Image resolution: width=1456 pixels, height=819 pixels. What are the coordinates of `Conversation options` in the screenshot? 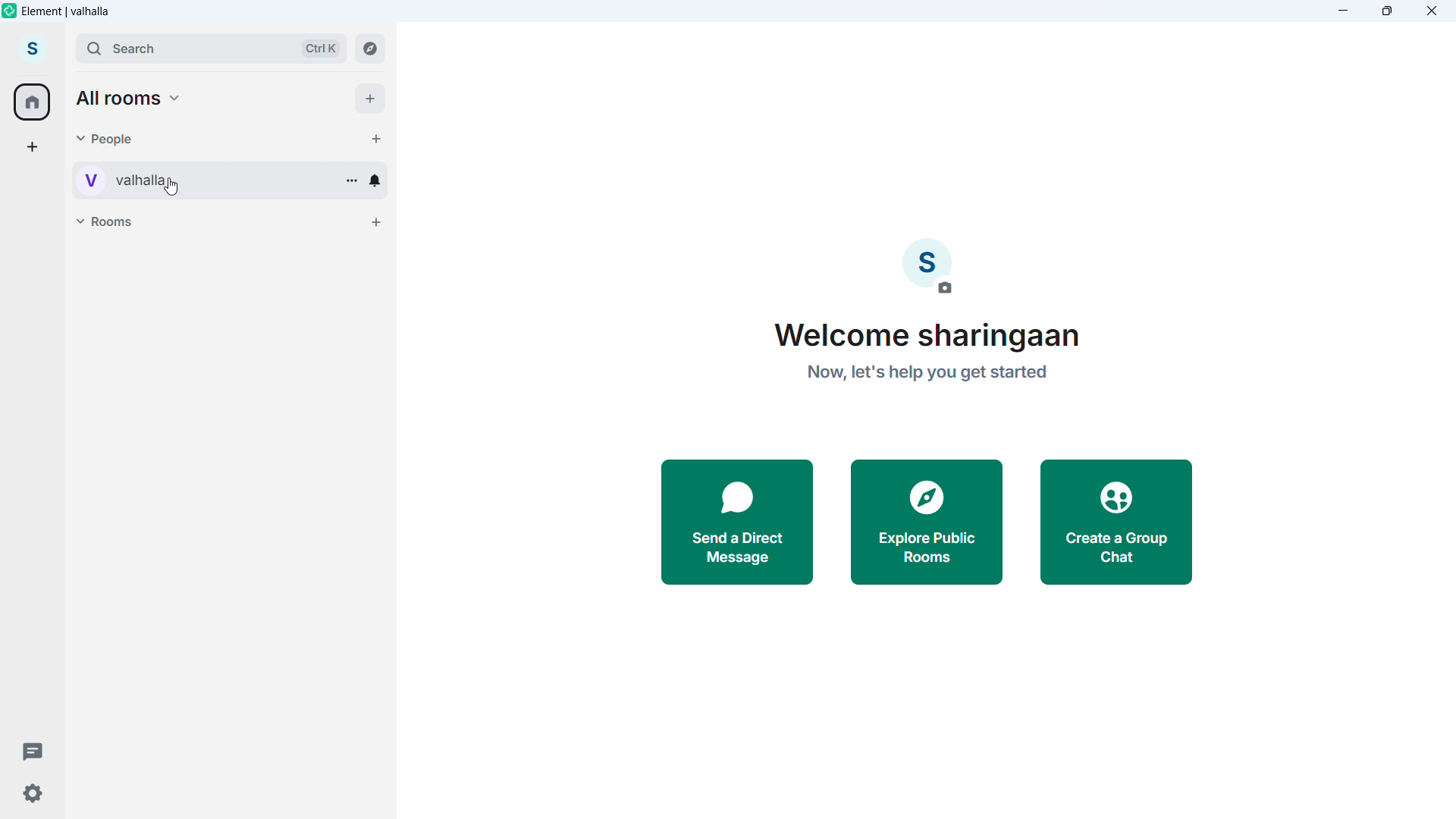 It's located at (350, 179).